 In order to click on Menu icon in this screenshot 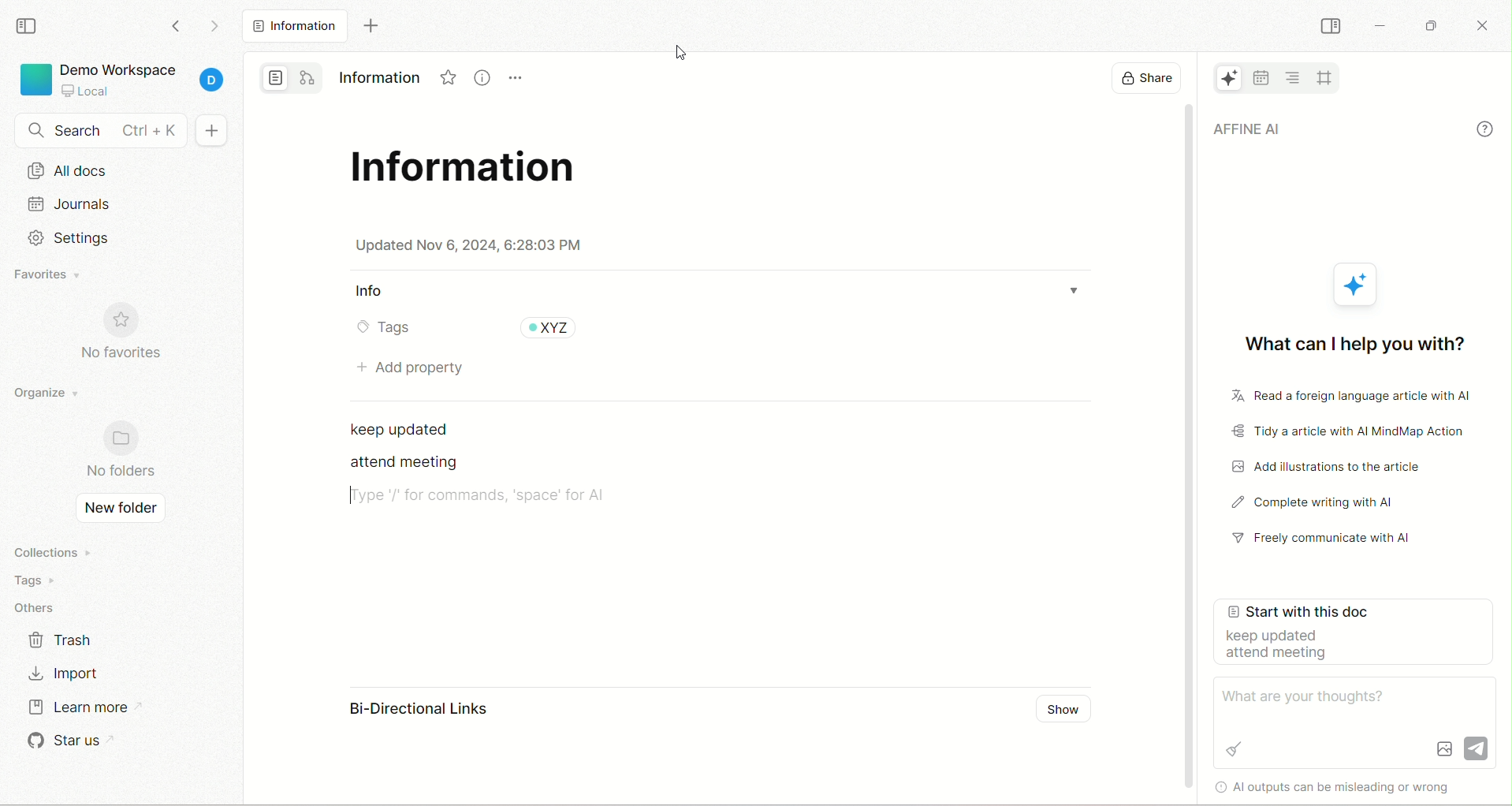, I will do `click(517, 80)`.